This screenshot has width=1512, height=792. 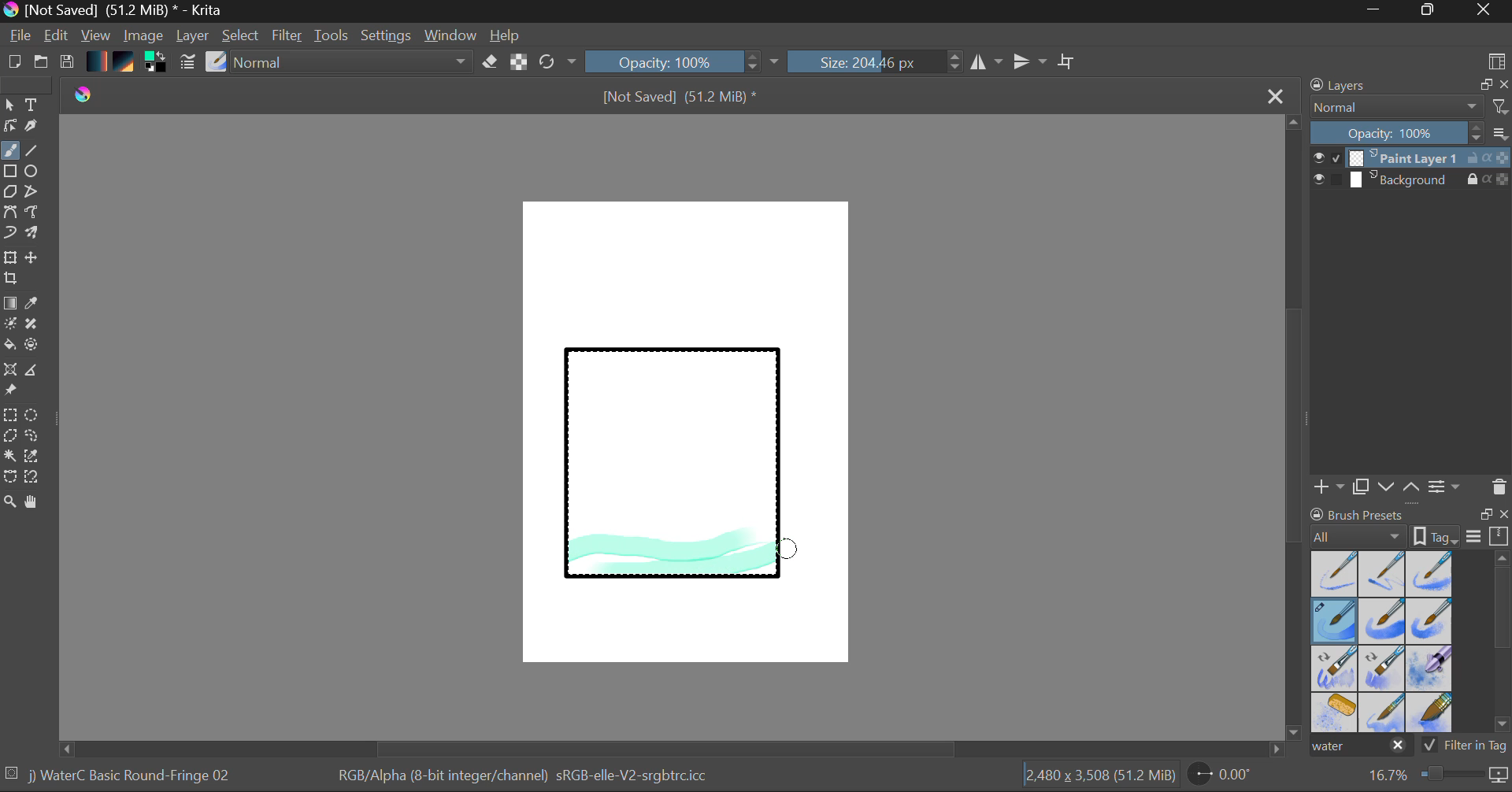 I want to click on Restore Down, so click(x=1379, y=11).